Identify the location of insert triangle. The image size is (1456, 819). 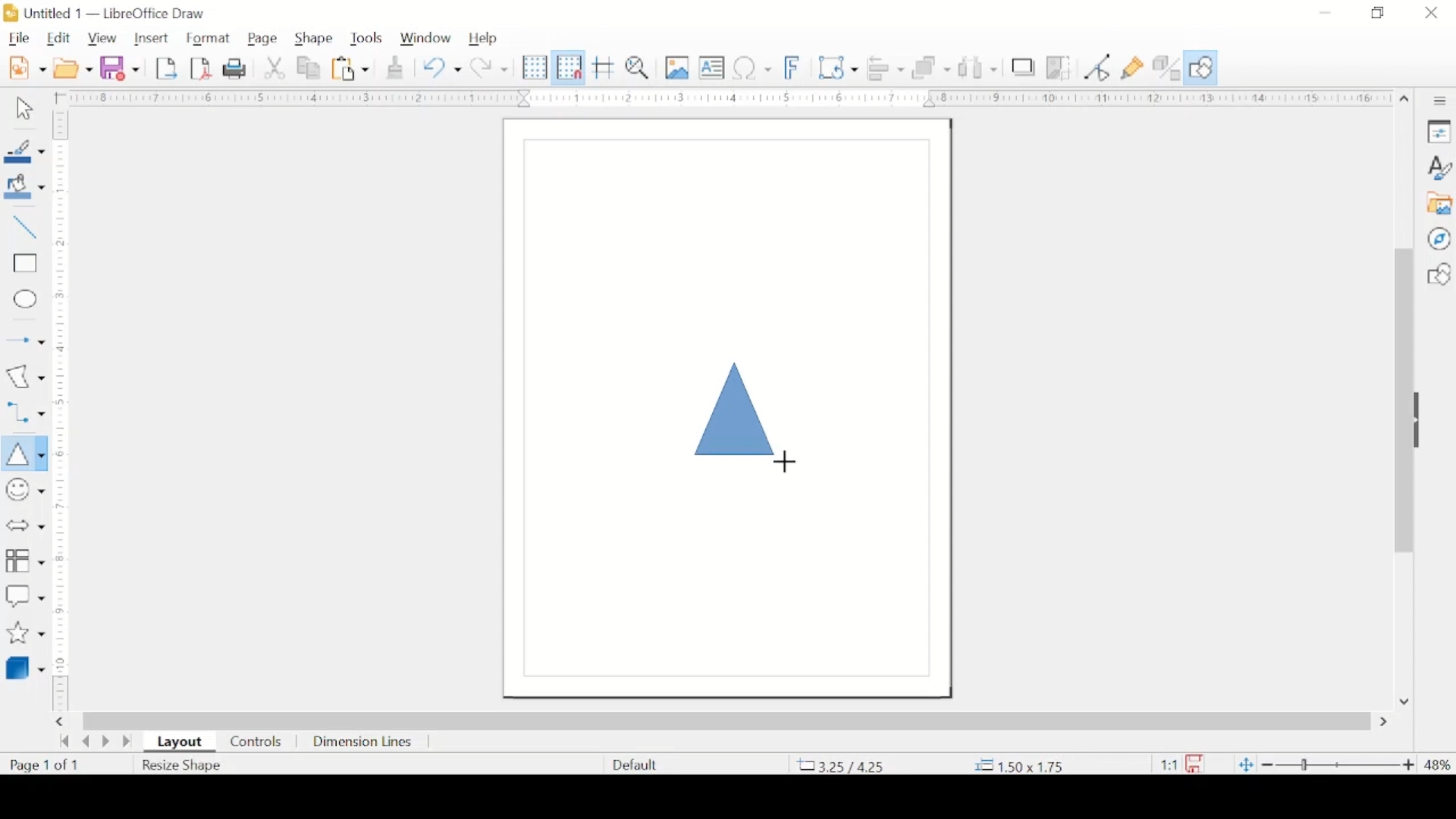
(22, 452).